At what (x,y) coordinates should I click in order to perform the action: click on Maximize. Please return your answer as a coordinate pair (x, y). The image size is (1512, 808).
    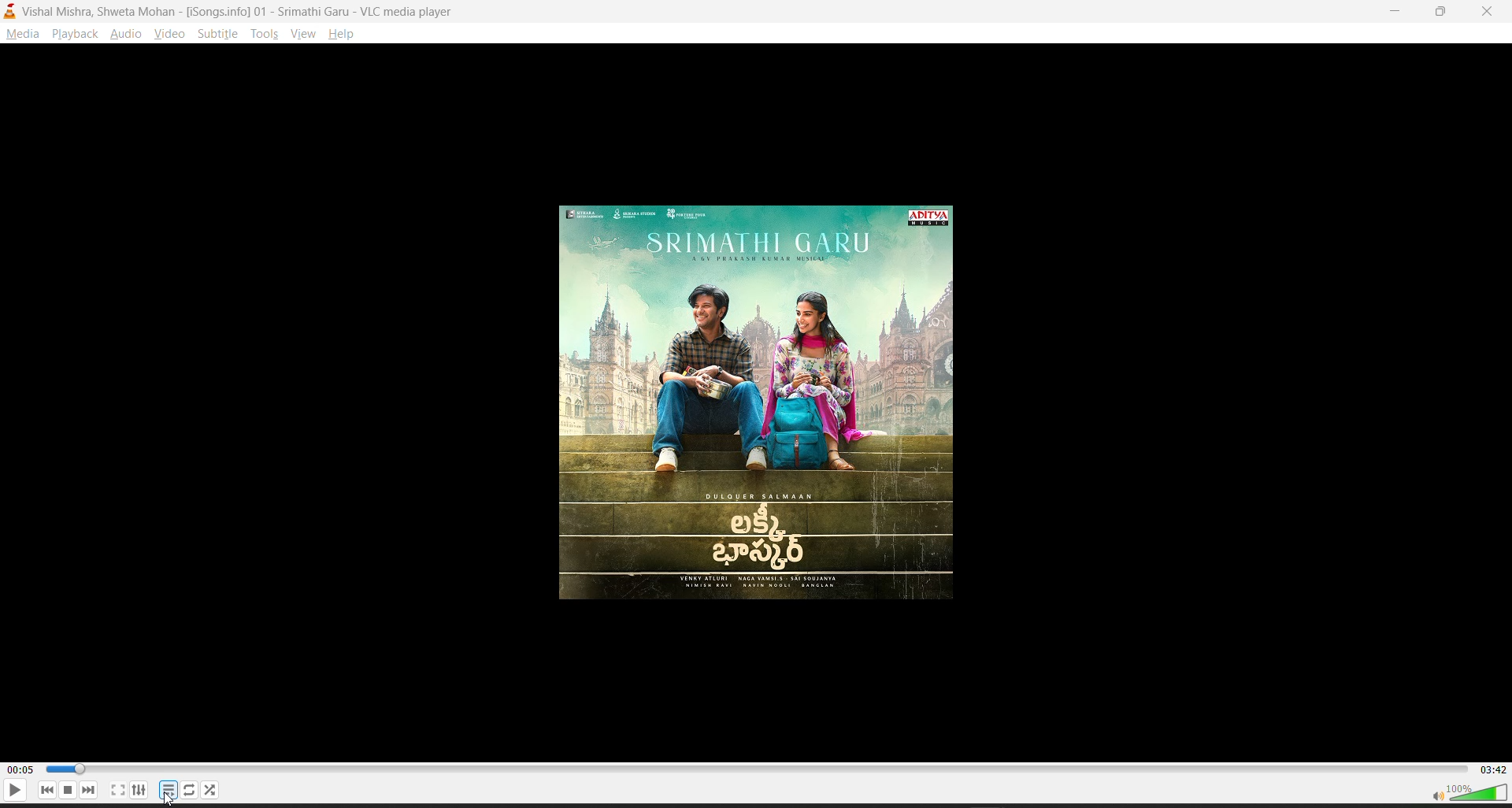
    Looking at the image, I should click on (1440, 12).